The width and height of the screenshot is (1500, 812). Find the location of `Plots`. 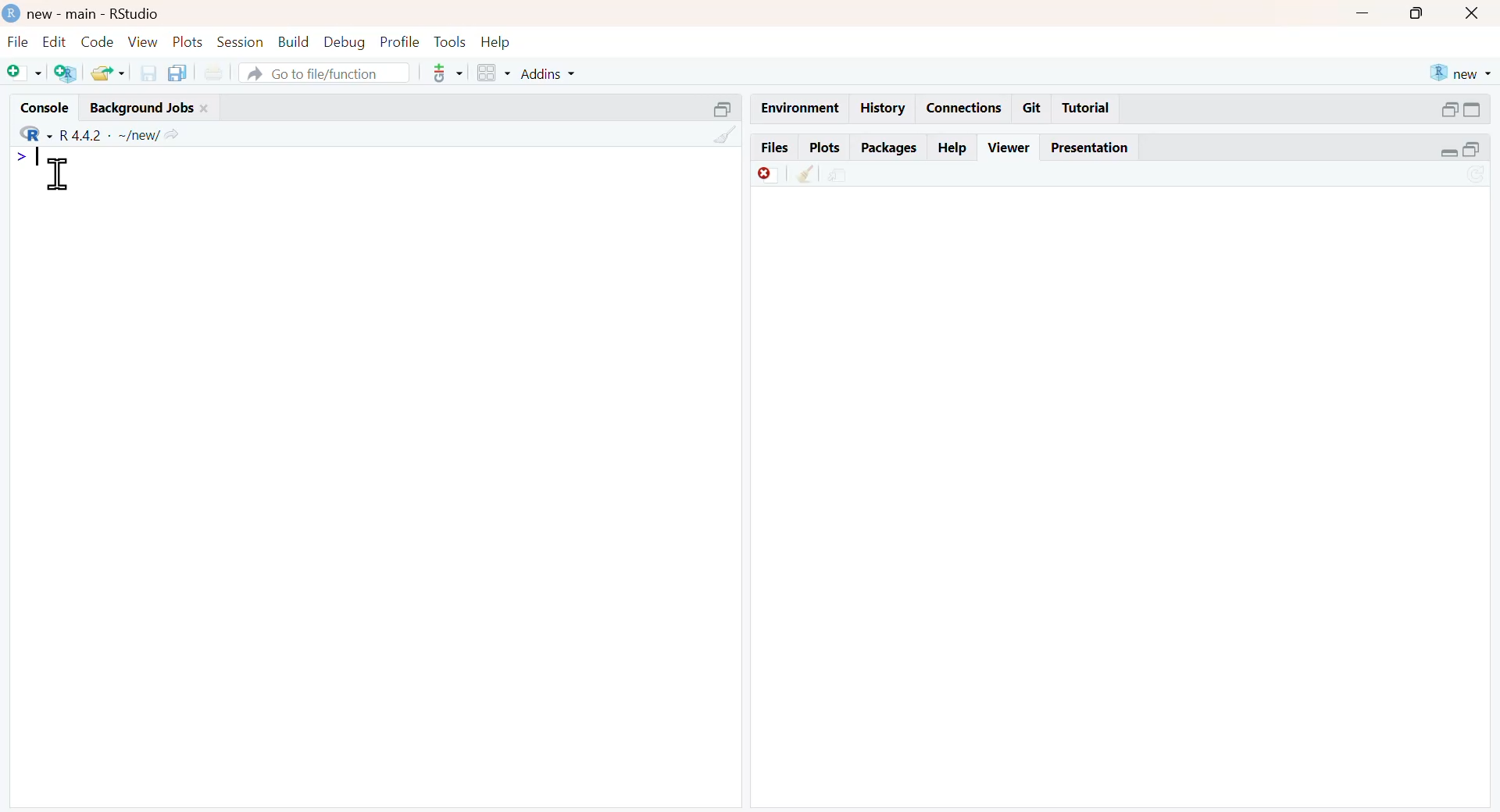

Plots is located at coordinates (825, 148).